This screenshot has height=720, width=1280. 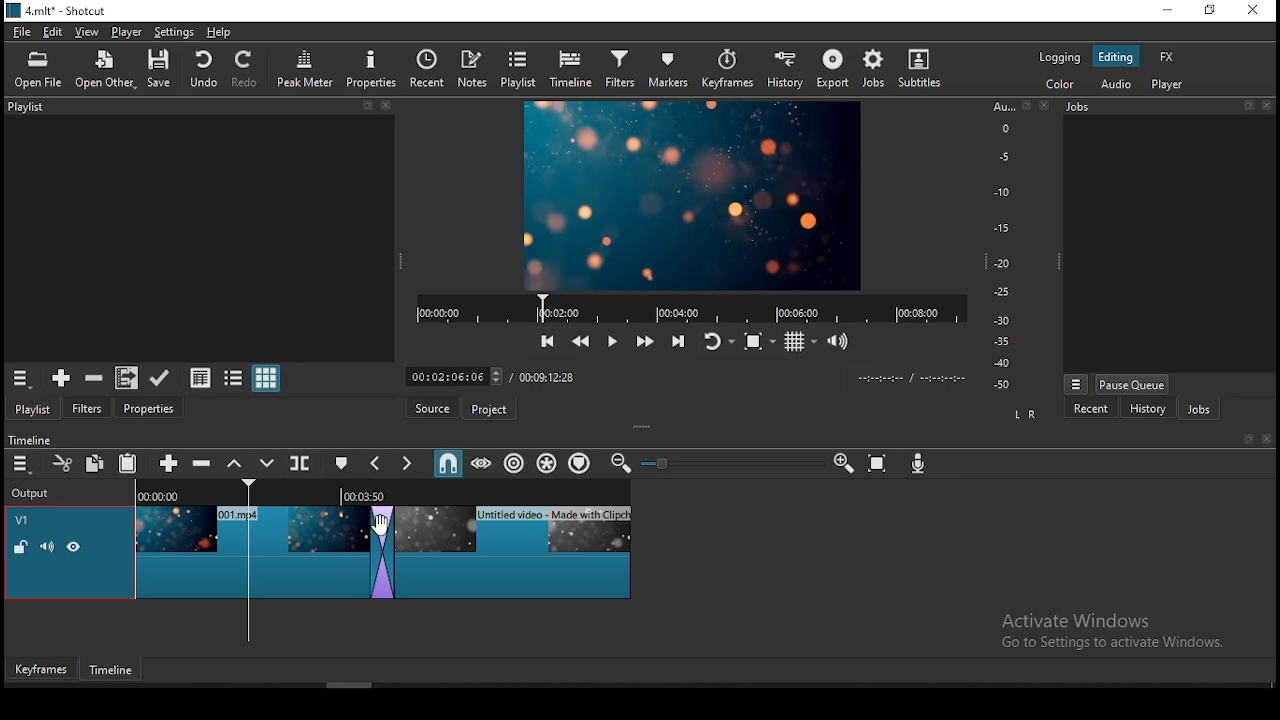 What do you see at coordinates (22, 31) in the screenshot?
I see `file` at bounding box center [22, 31].